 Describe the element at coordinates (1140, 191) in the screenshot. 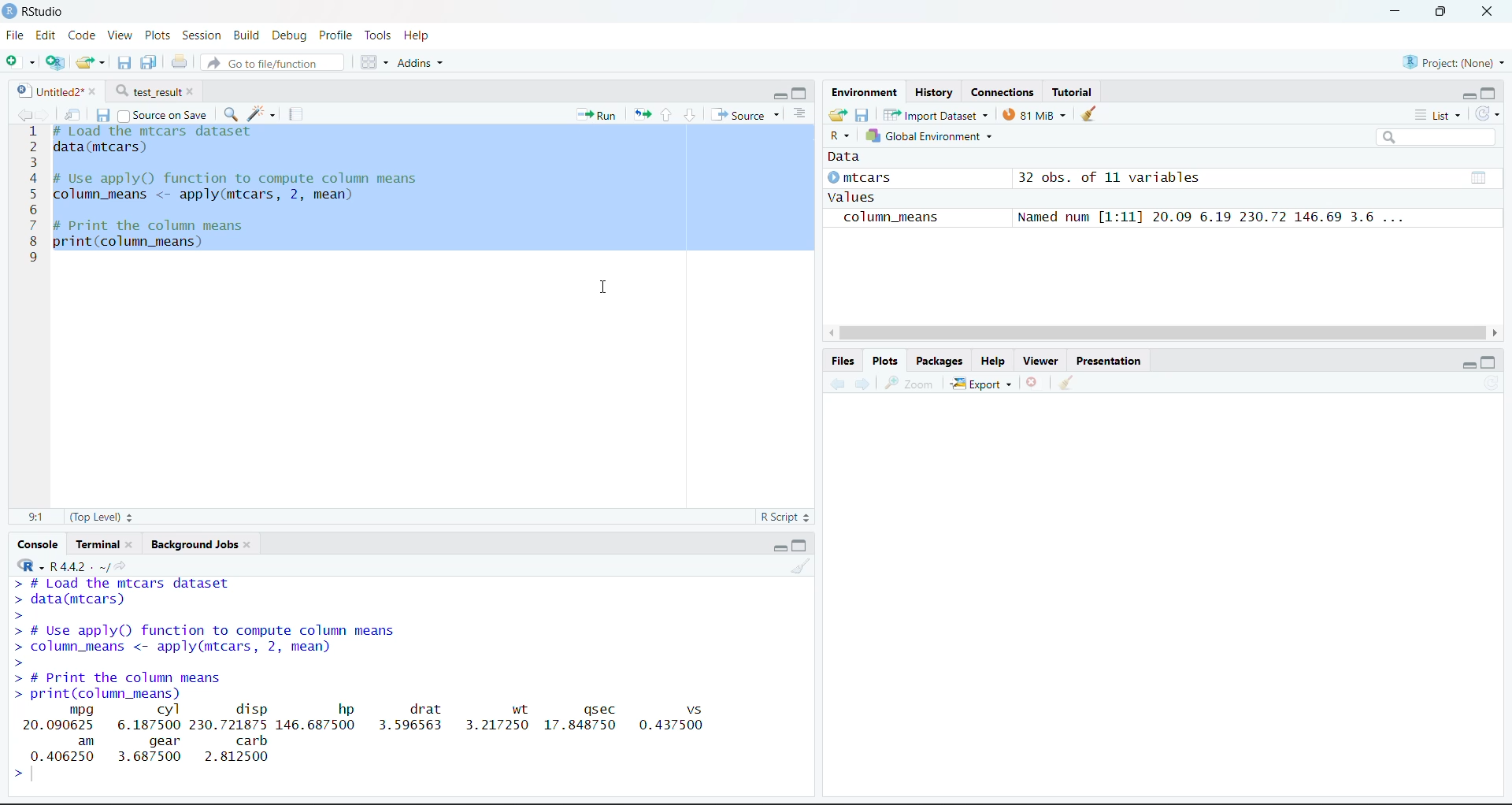

I see `Data
© mtcars 32 obs. of 11 variables
Values
column_means Named num [1:11] 20.09 6.19 230.72 146.69 3.6 ...` at that location.